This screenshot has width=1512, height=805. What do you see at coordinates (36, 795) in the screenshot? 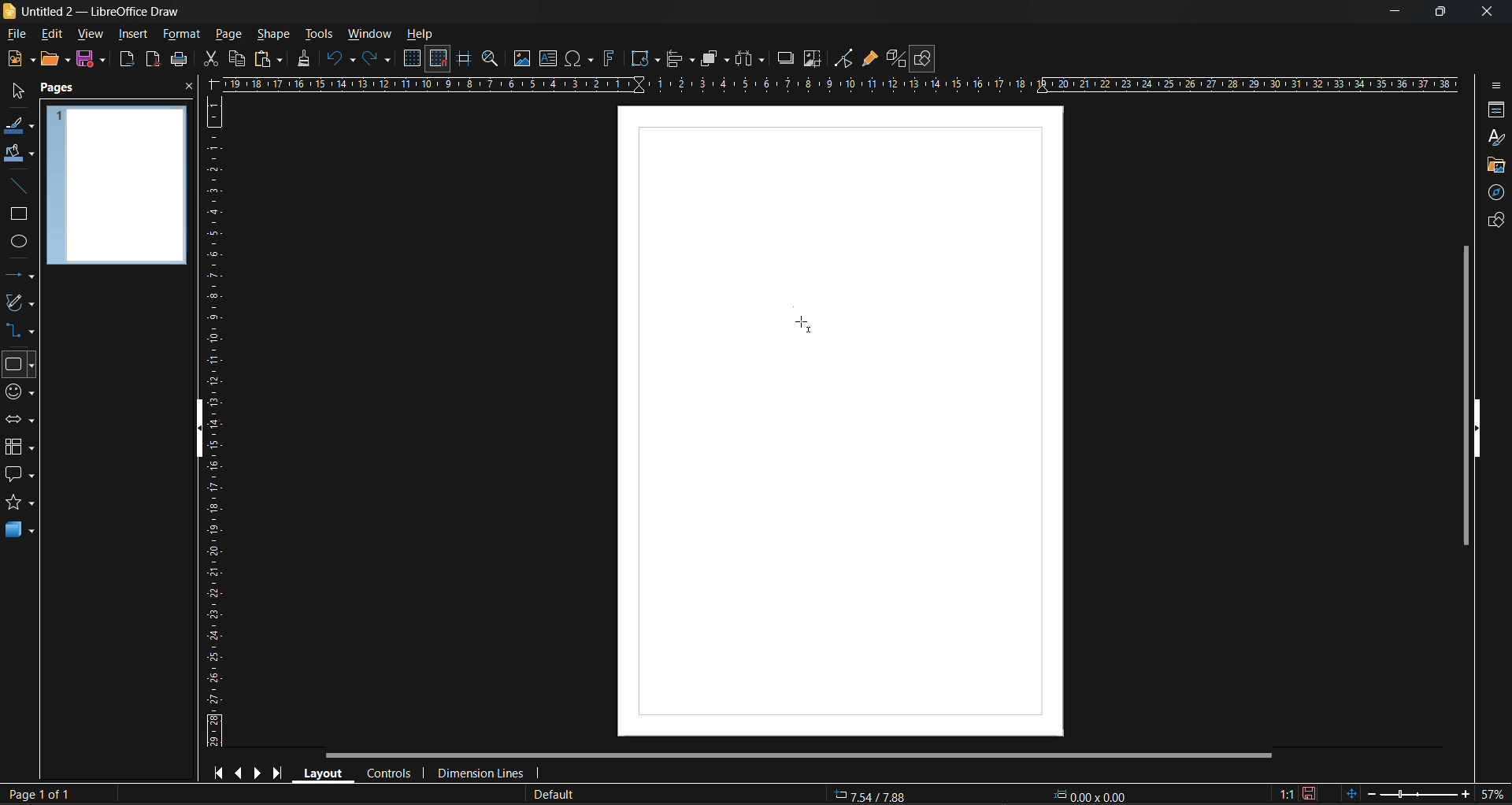
I see `page number` at bounding box center [36, 795].